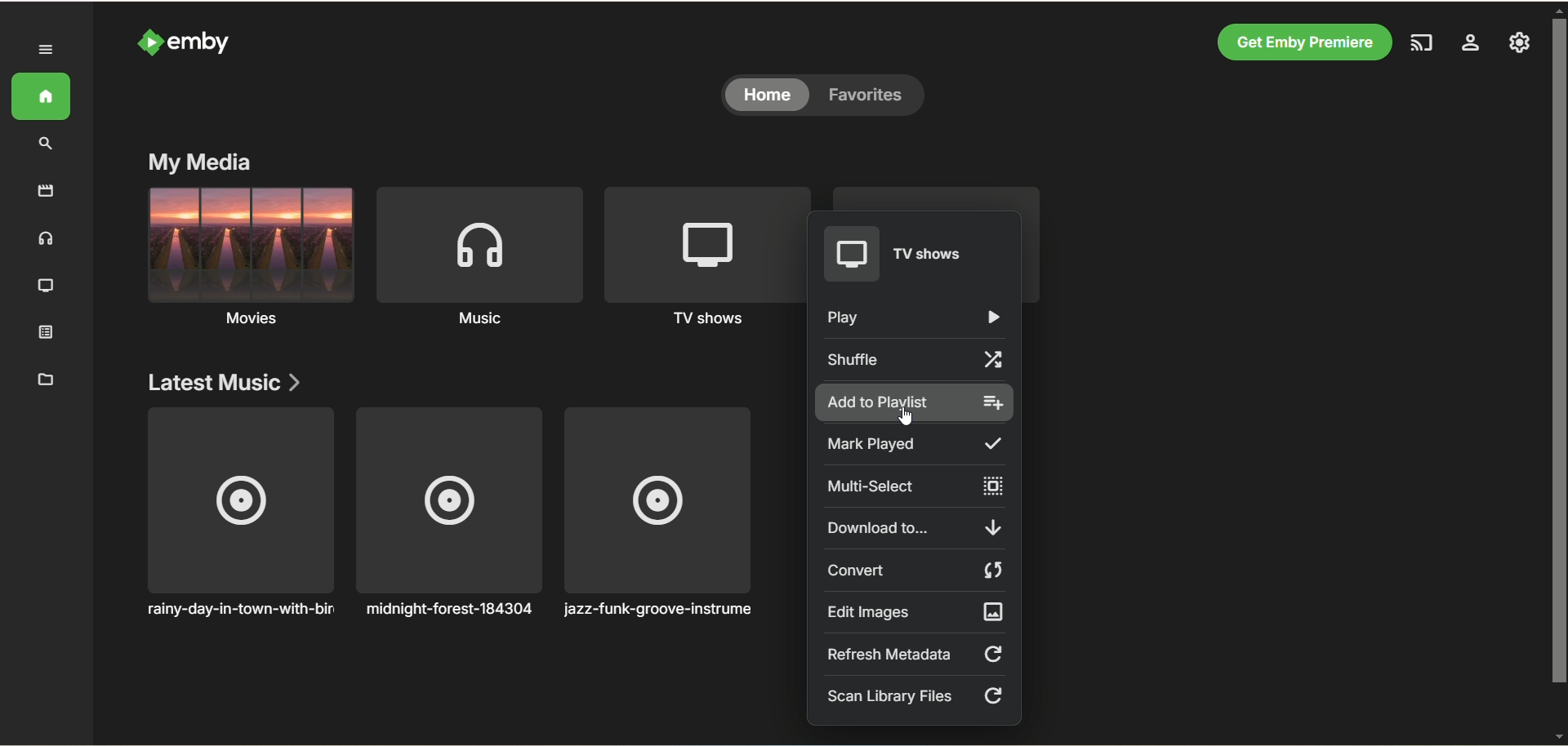 The image size is (1568, 746). Describe the element at coordinates (913, 444) in the screenshot. I see `mark played` at that location.